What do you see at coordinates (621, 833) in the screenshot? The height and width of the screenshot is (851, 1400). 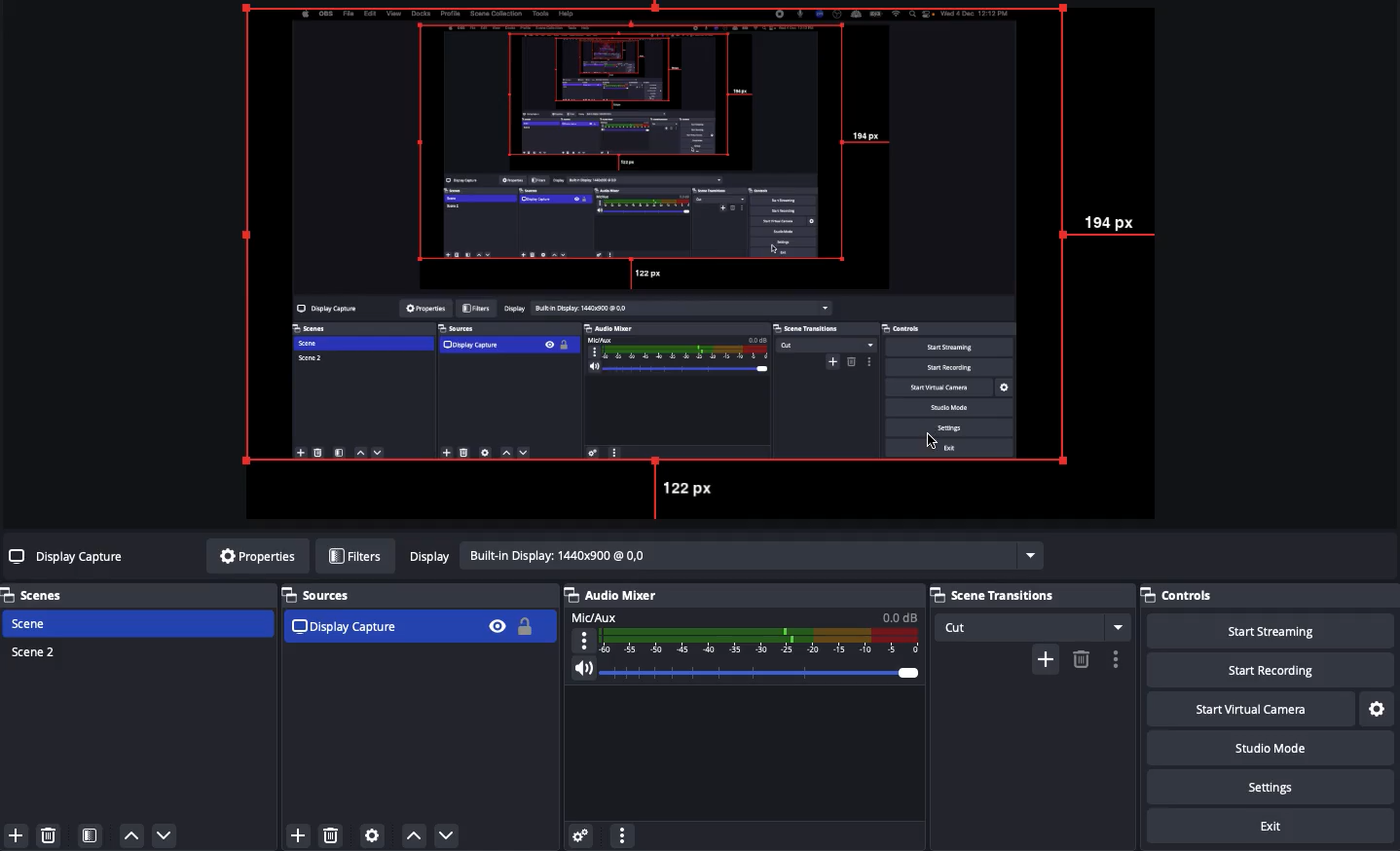 I see `More` at bounding box center [621, 833].